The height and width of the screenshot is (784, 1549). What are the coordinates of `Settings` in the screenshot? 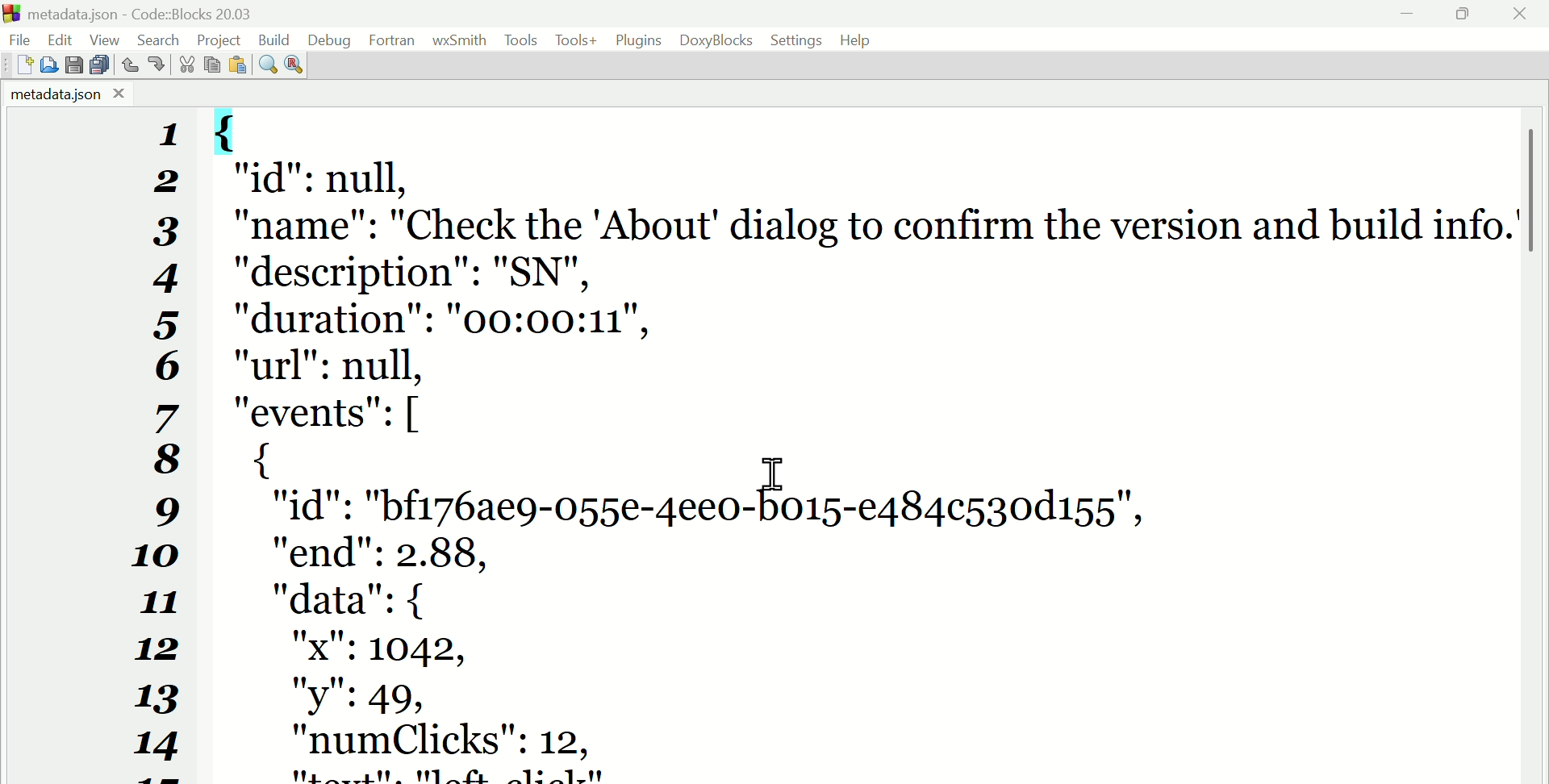 It's located at (797, 40).